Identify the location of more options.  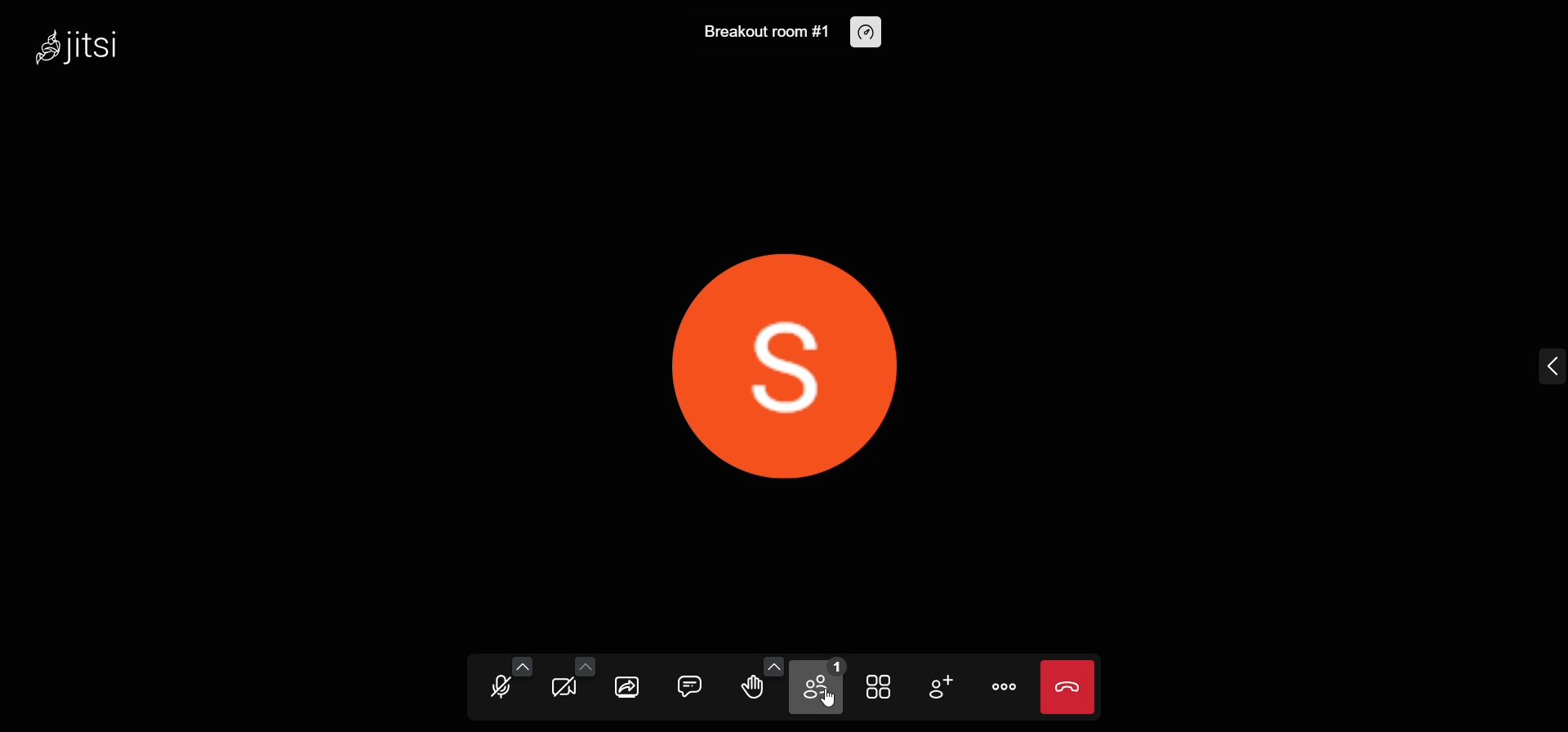
(1004, 690).